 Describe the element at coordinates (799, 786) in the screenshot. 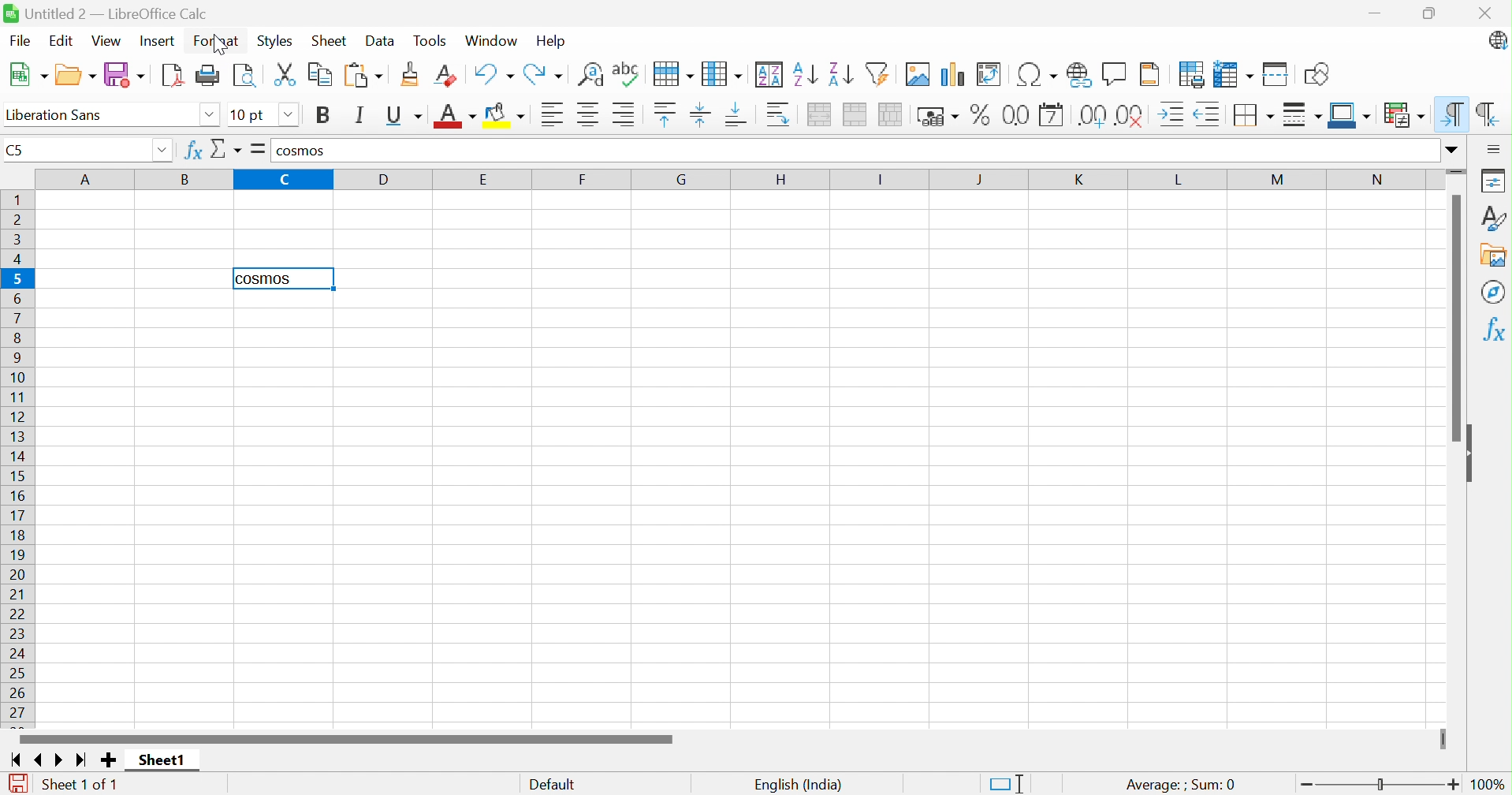

I see `English (India)` at that location.